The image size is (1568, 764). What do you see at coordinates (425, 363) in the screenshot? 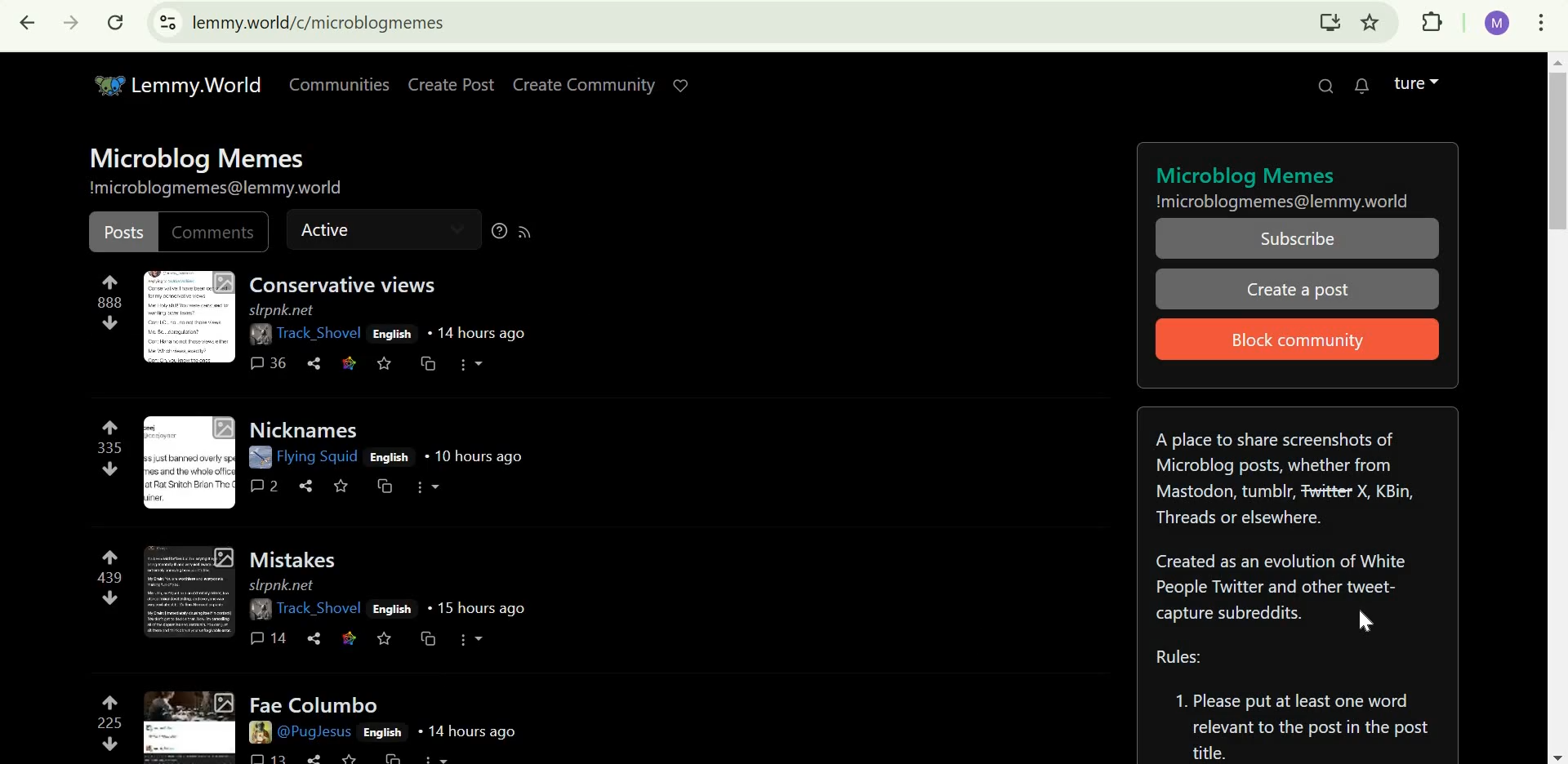
I see `cross-post` at bounding box center [425, 363].